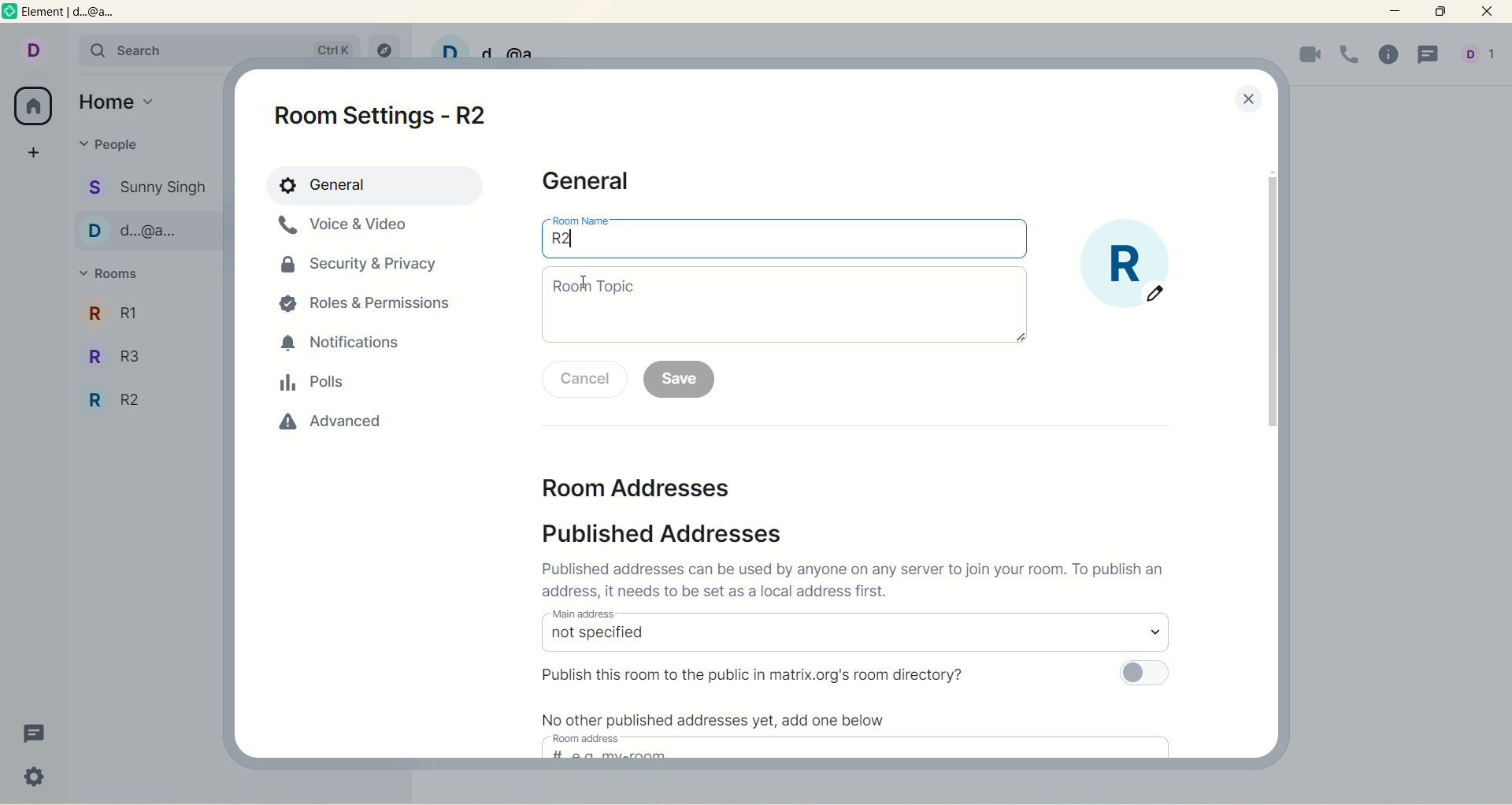 Image resolution: width=1512 pixels, height=805 pixels. Describe the element at coordinates (1440, 12) in the screenshot. I see `maximum` at that location.